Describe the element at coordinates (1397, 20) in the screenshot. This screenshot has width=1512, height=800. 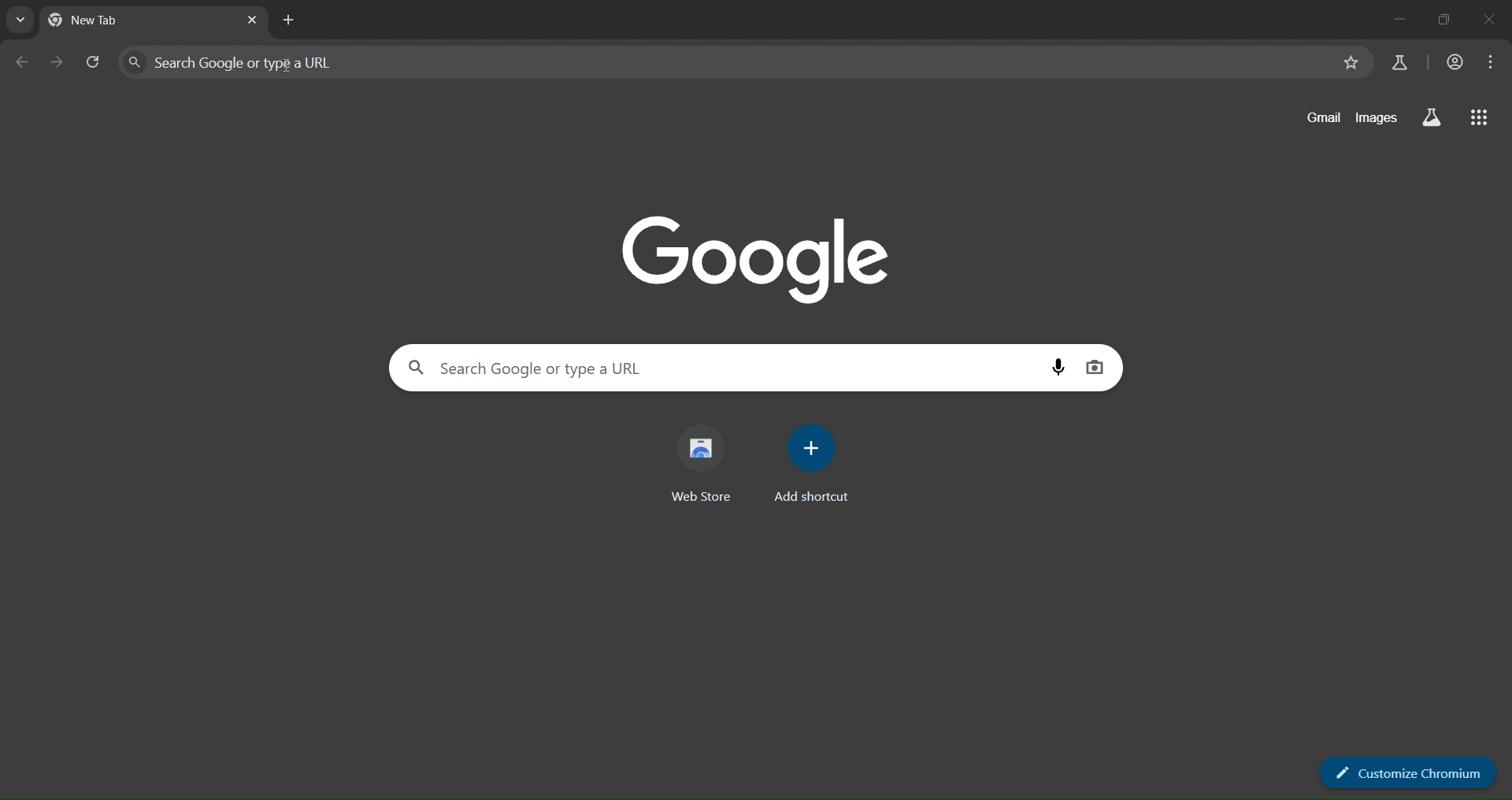
I see `minimize` at that location.